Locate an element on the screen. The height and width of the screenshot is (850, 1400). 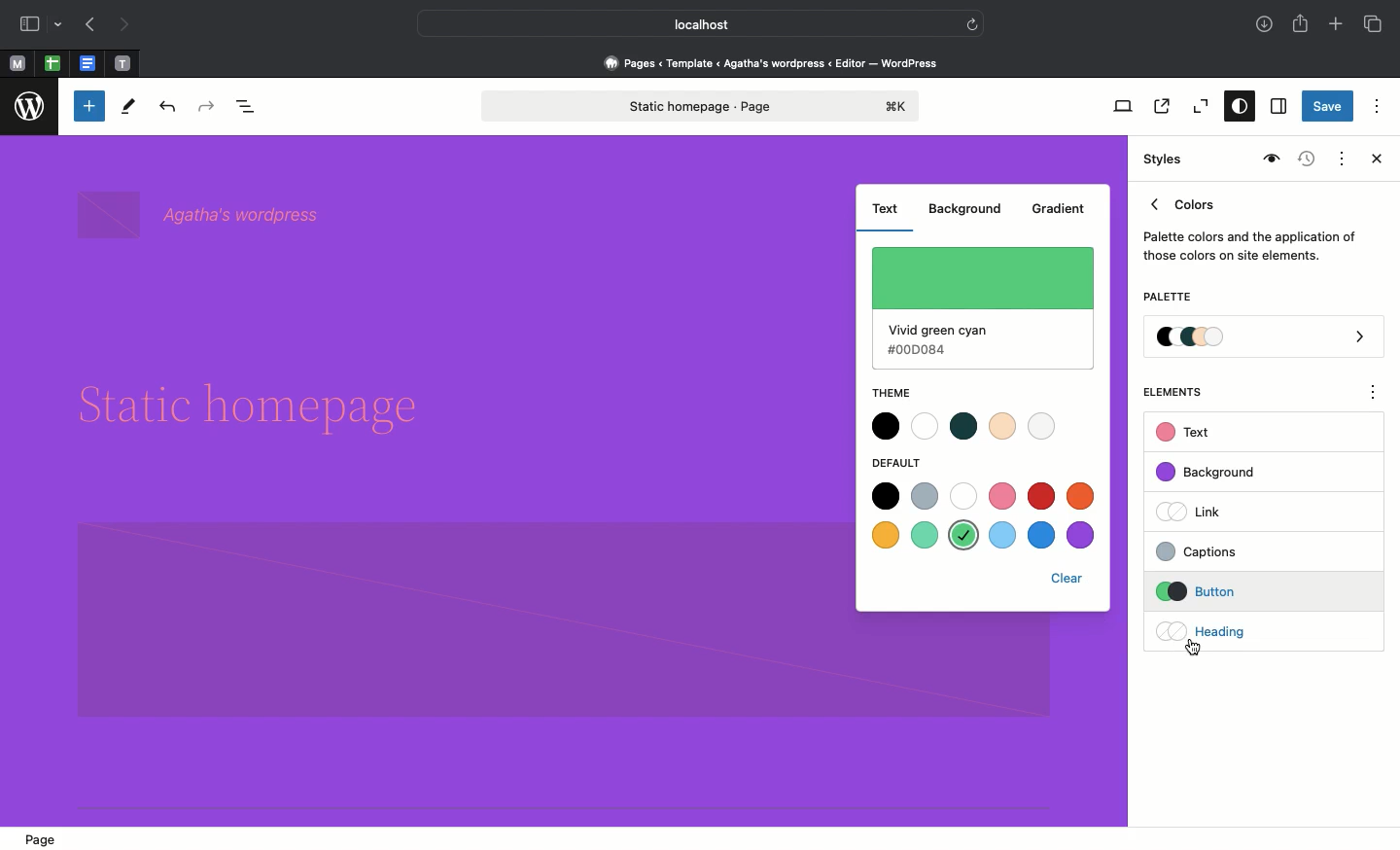
Elements is located at coordinates (1183, 392).